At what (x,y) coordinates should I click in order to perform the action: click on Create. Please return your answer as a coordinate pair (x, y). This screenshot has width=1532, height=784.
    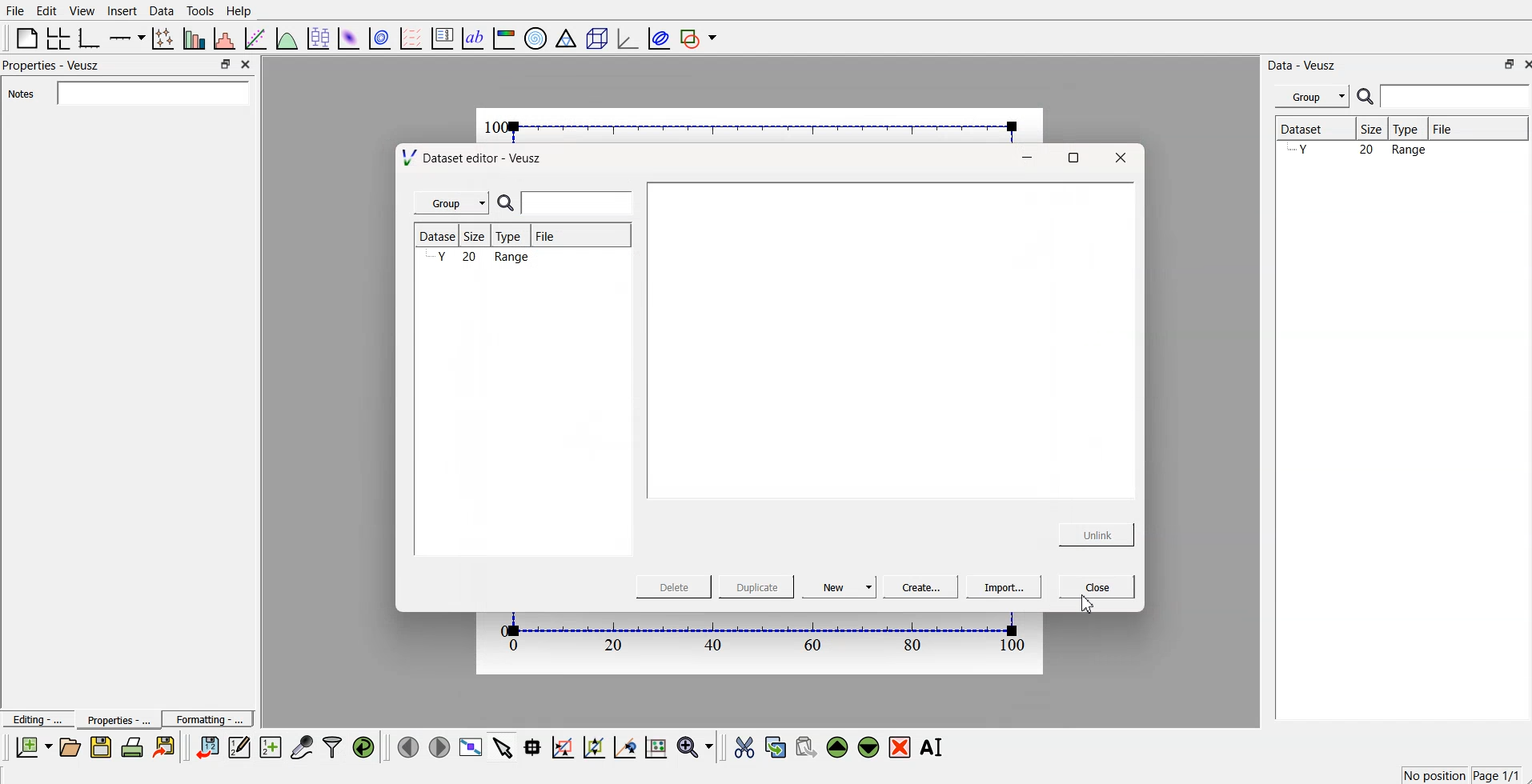
    Looking at the image, I should click on (922, 586).